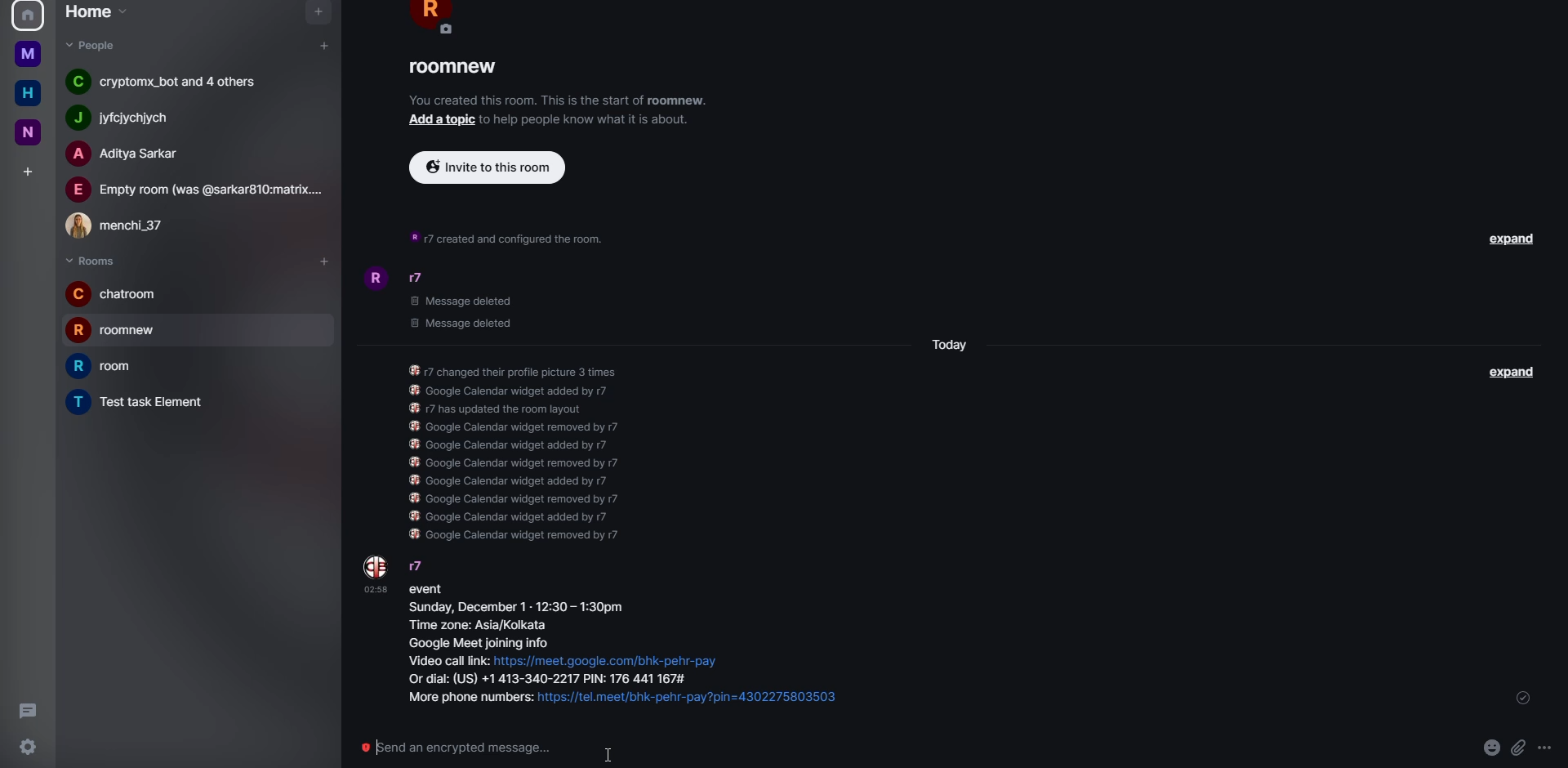 Image resolution: width=1568 pixels, height=768 pixels. What do you see at coordinates (474, 310) in the screenshot?
I see `deleted` at bounding box center [474, 310].